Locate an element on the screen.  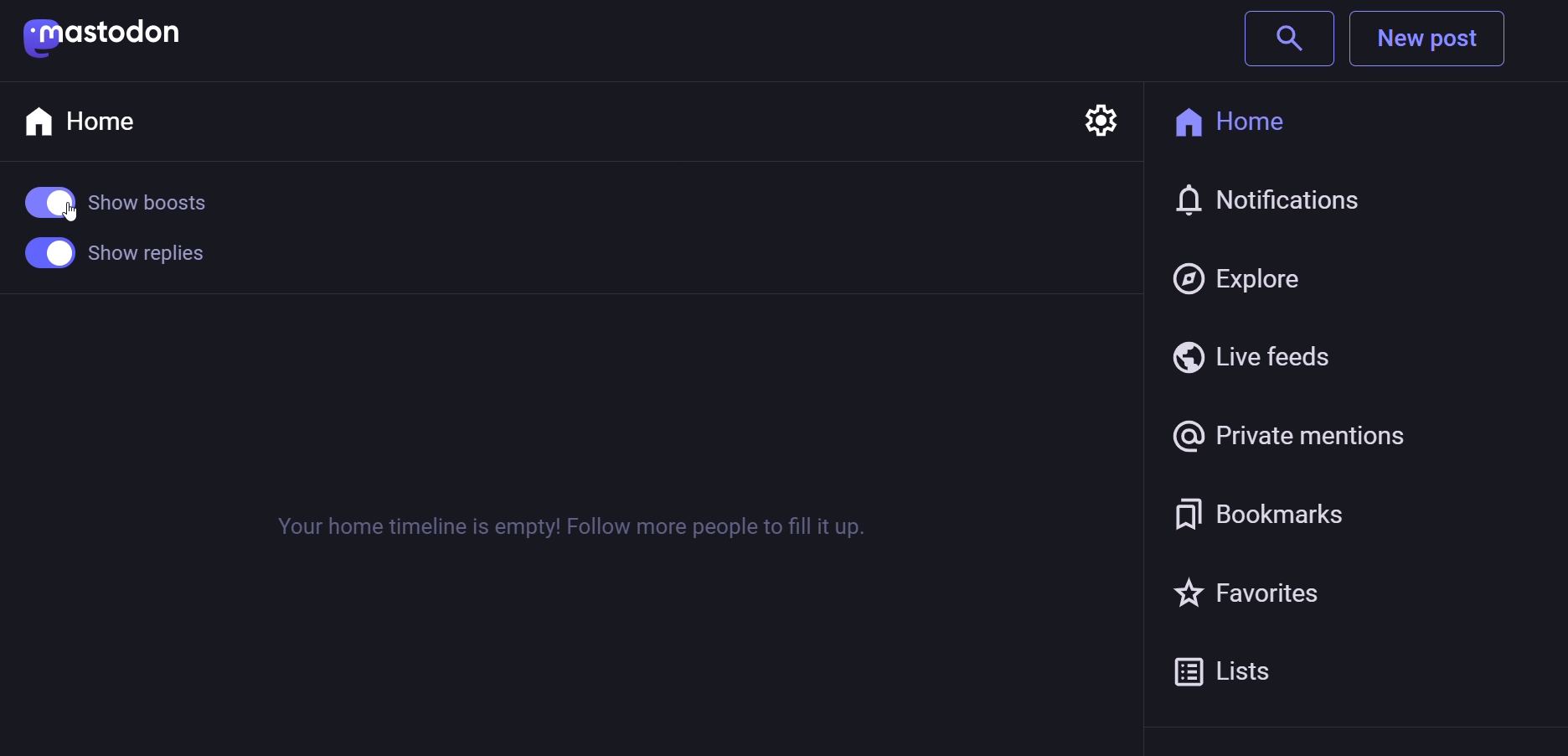
setting is located at coordinates (1100, 111).